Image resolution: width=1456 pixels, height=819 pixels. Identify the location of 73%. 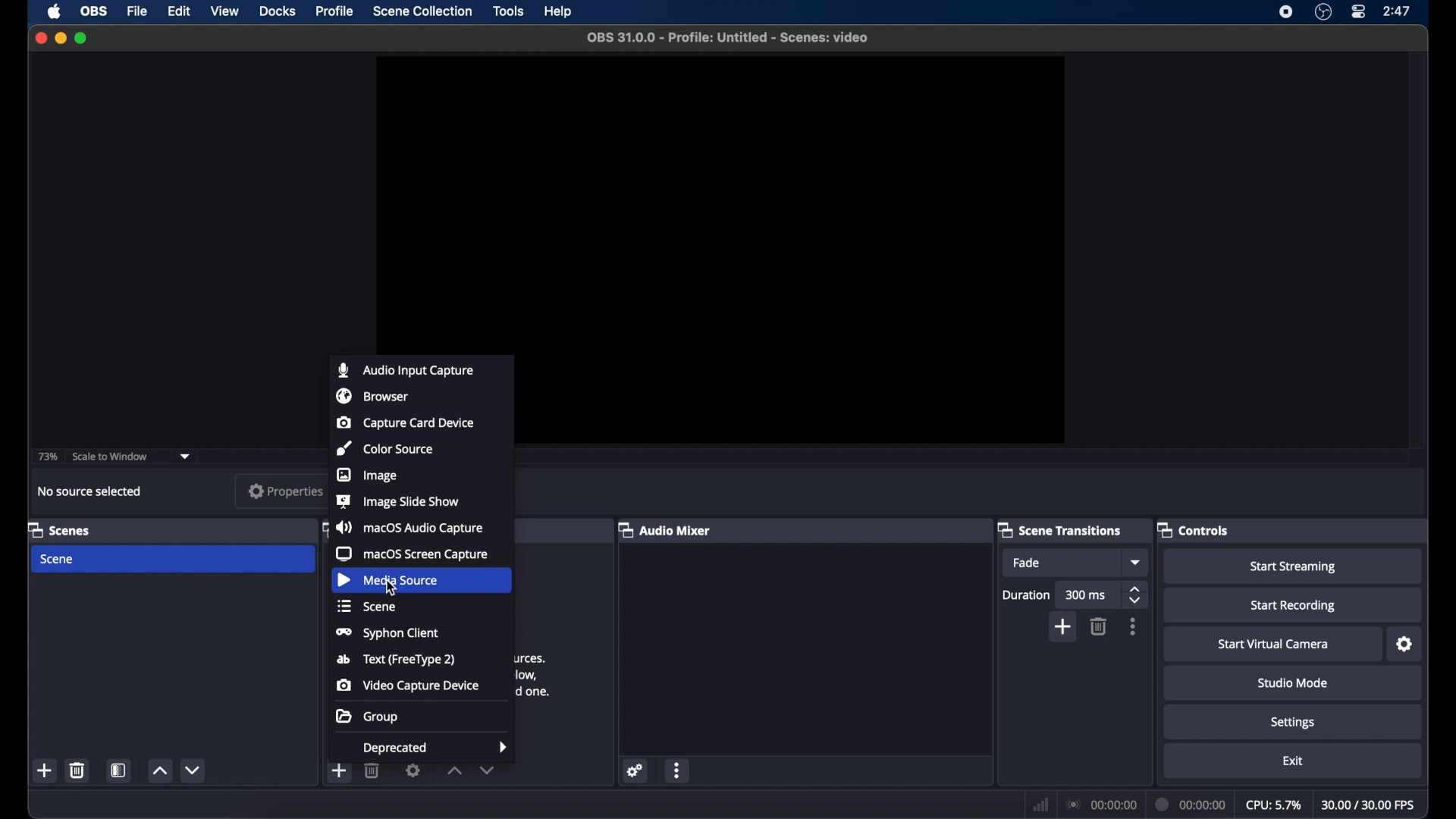
(49, 457).